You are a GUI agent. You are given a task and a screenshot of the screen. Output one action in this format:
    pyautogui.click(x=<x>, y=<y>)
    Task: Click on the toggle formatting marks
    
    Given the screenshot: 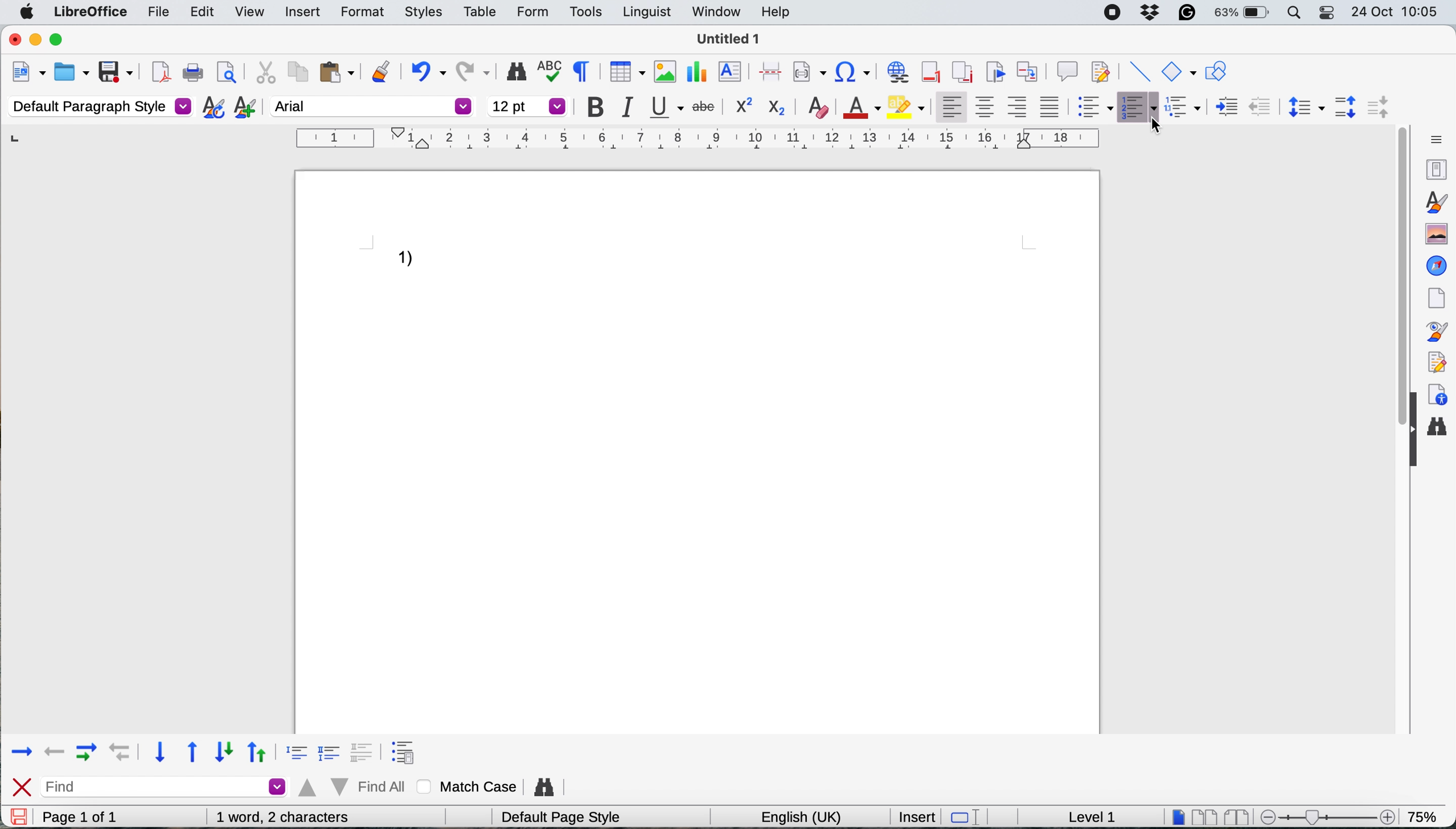 What is the action you would take?
    pyautogui.click(x=585, y=71)
    